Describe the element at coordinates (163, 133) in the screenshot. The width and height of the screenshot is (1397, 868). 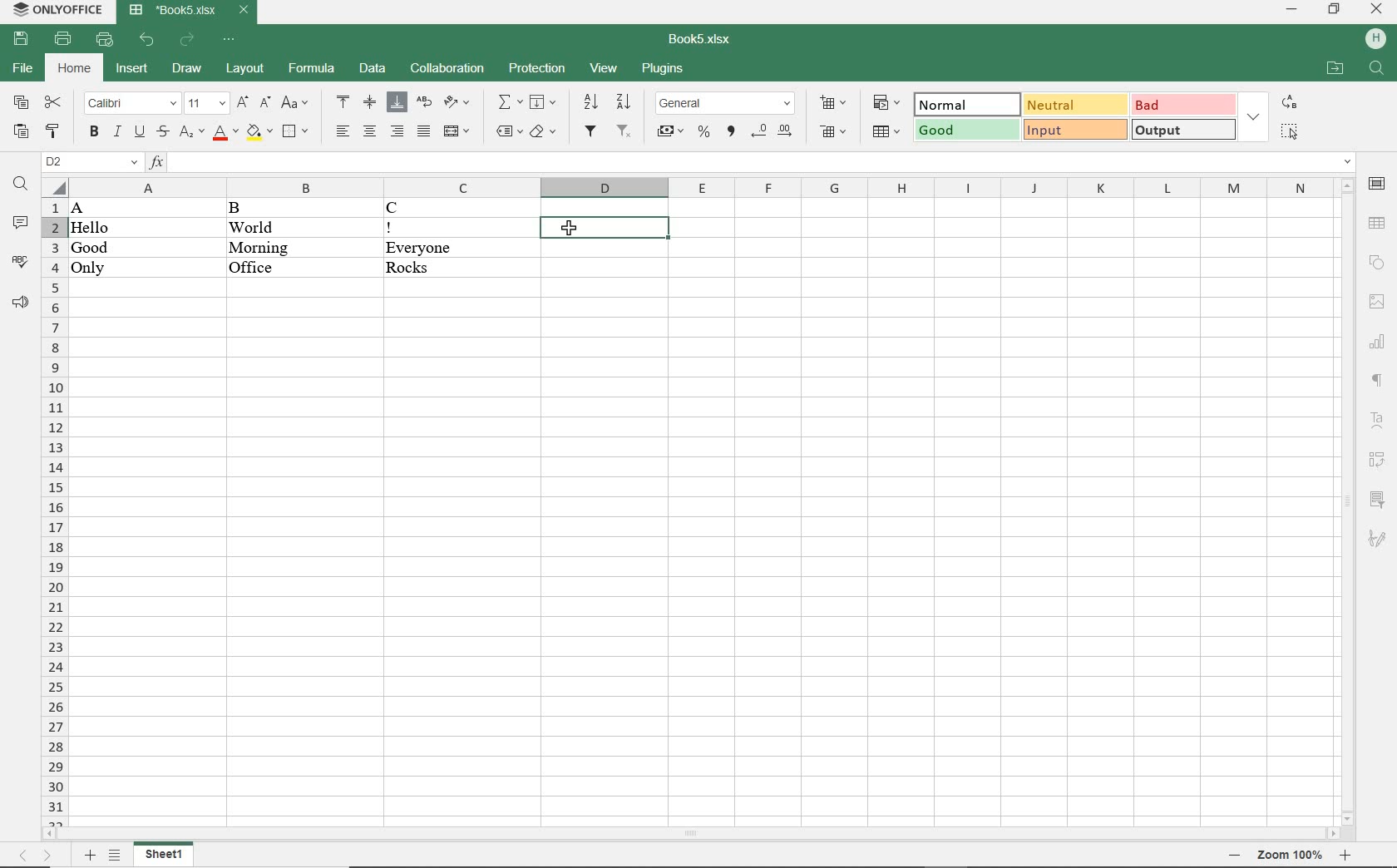
I see `STRIKETHROUGH` at that location.